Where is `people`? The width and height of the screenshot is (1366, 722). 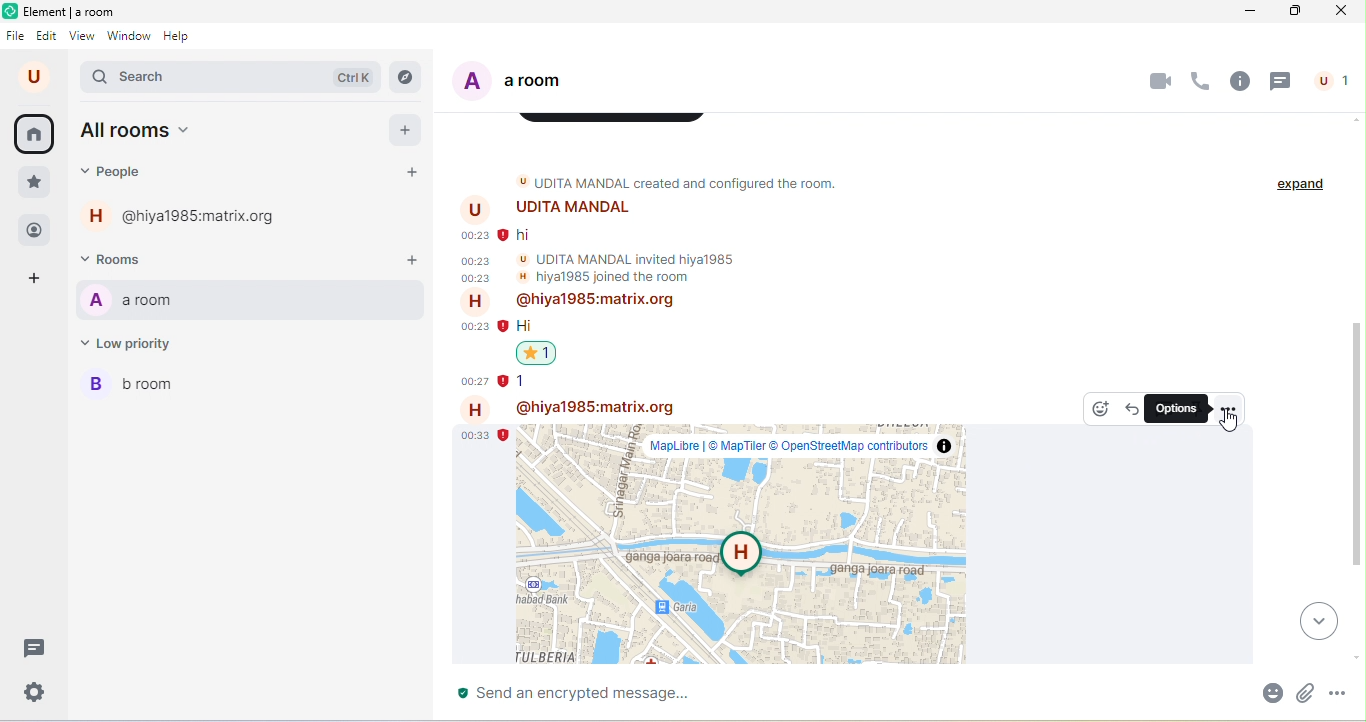
people is located at coordinates (35, 231).